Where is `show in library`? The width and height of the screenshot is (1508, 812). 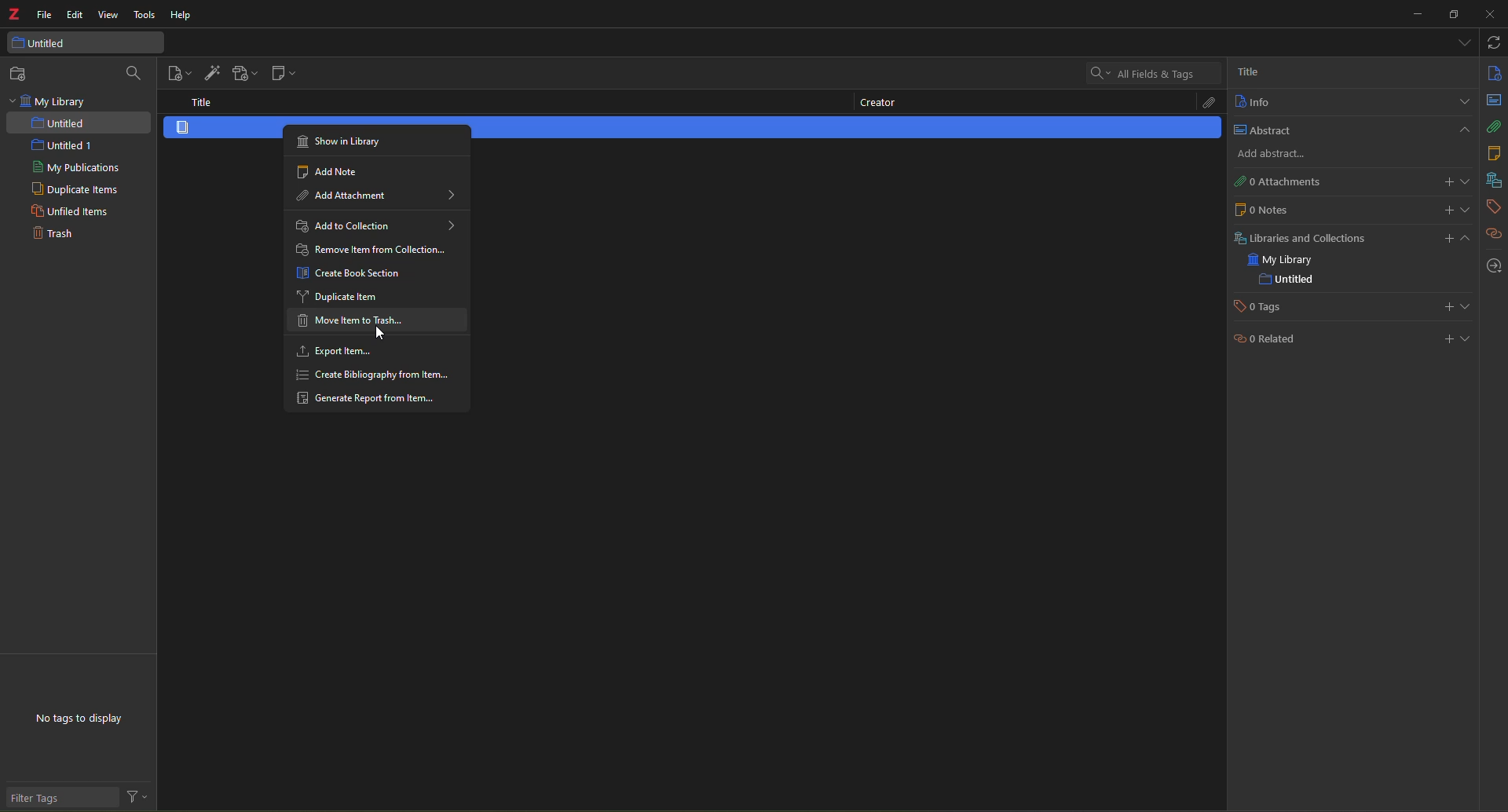 show in library is located at coordinates (343, 140).